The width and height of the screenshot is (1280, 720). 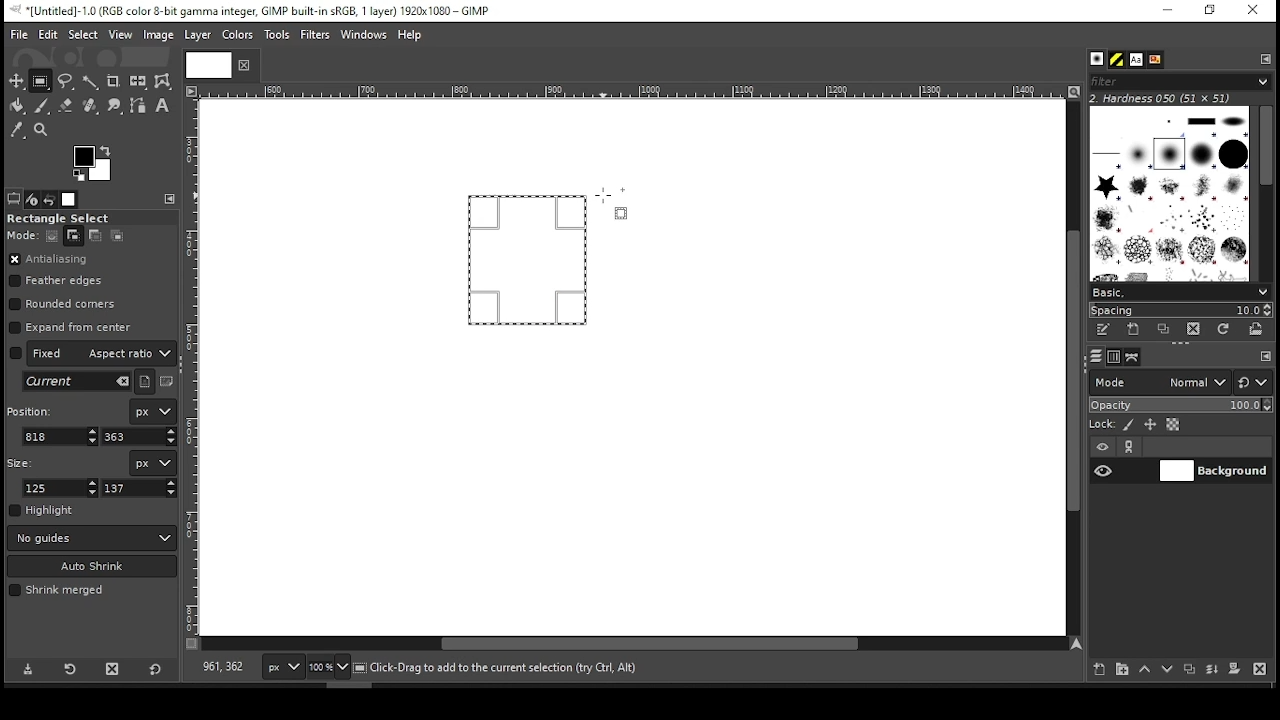 I want to click on merge layer, so click(x=1212, y=670).